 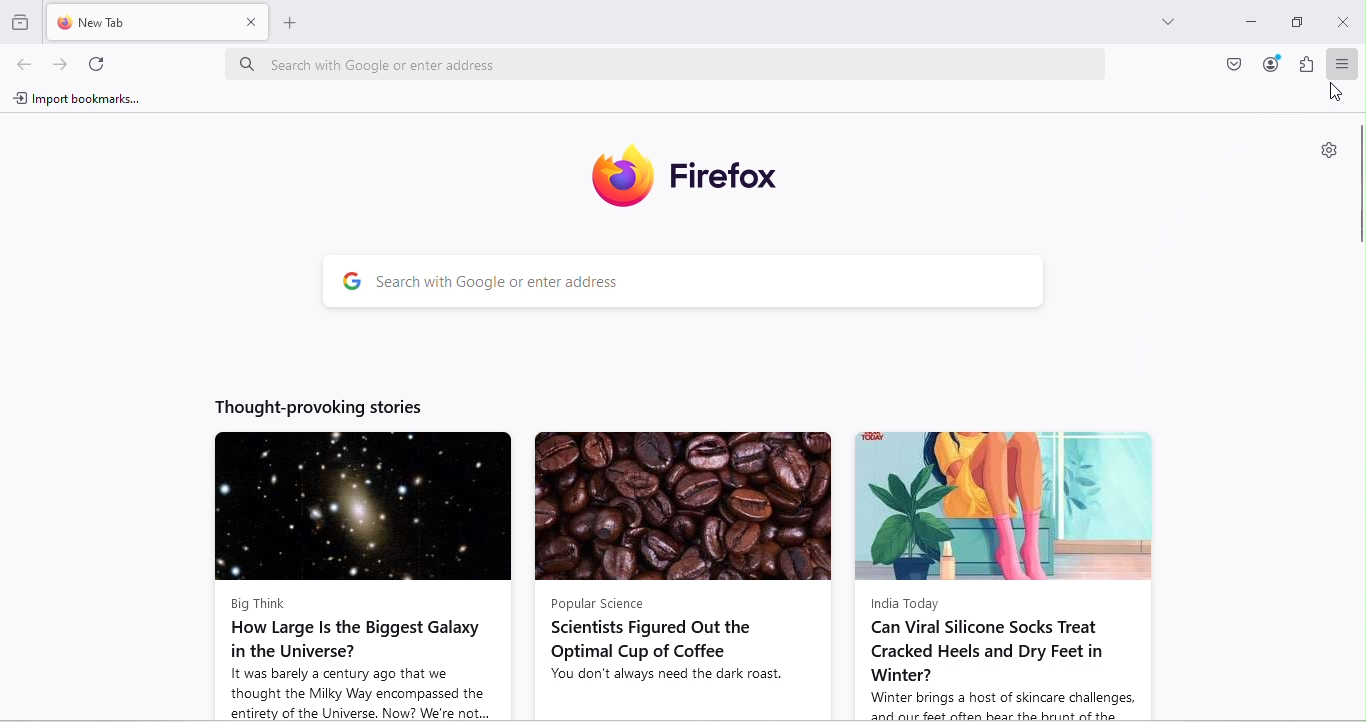 What do you see at coordinates (357, 506) in the screenshot?
I see `Image` at bounding box center [357, 506].